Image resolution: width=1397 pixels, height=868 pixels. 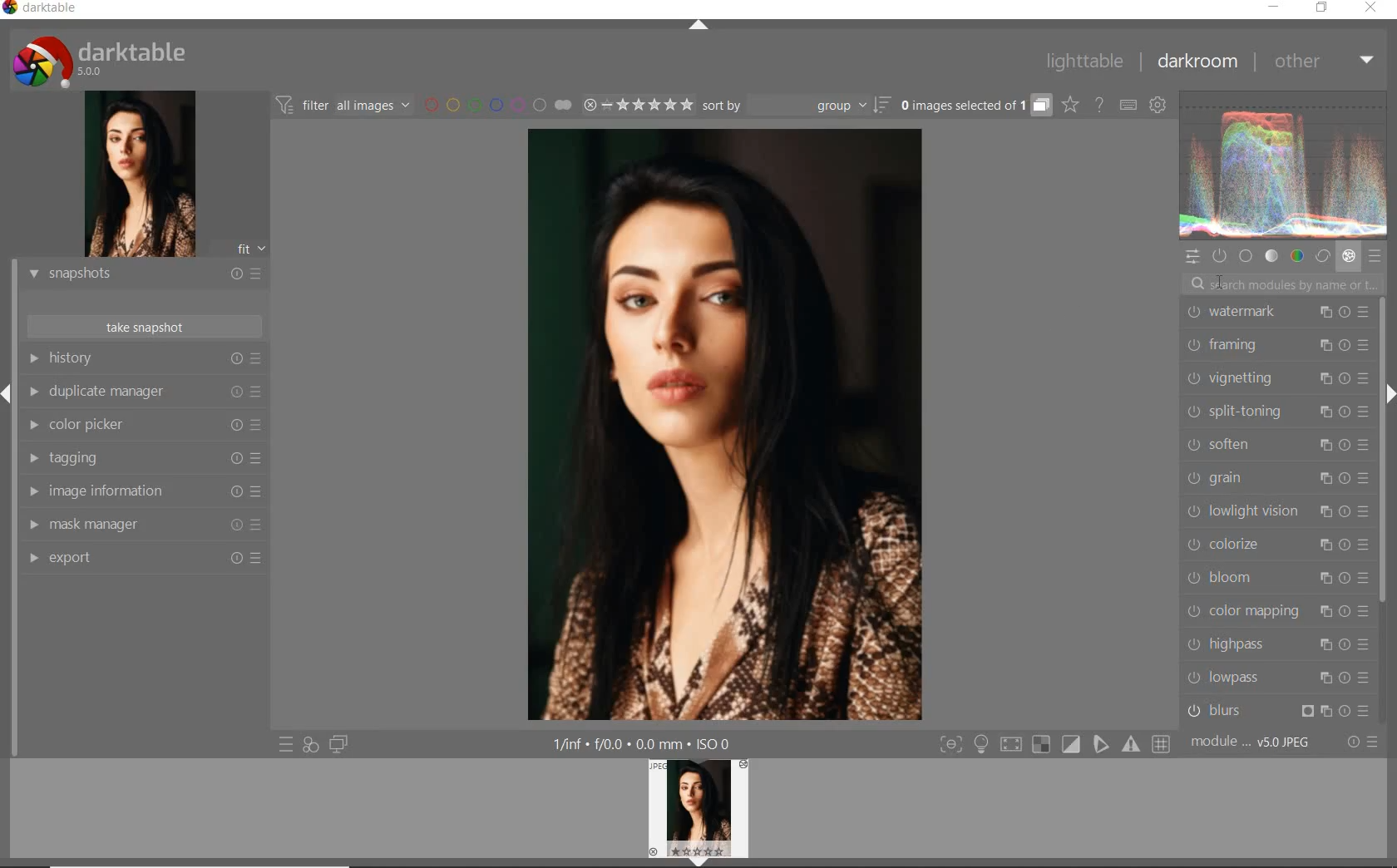 What do you see at coordinates (700, 26) in the screenshot?
I see `expand/collapse` at bounding box center [700, 26].